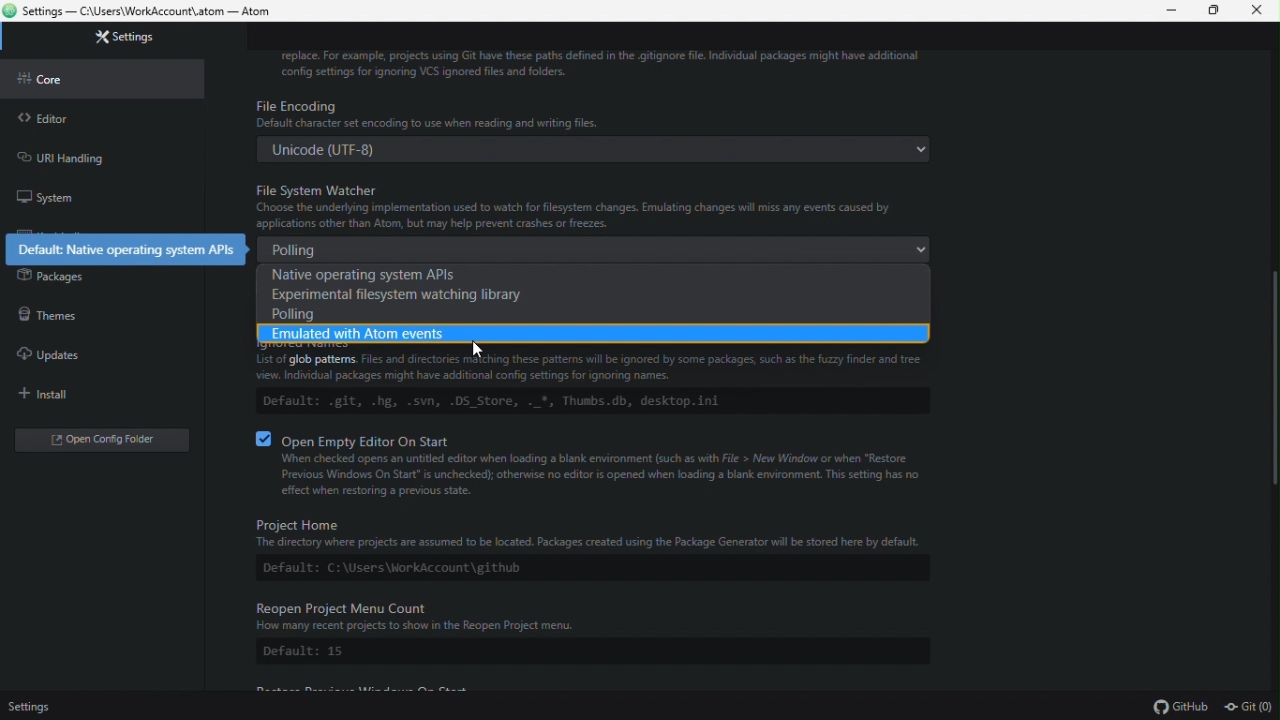  I want to click on minimize, so click(1162, 11).